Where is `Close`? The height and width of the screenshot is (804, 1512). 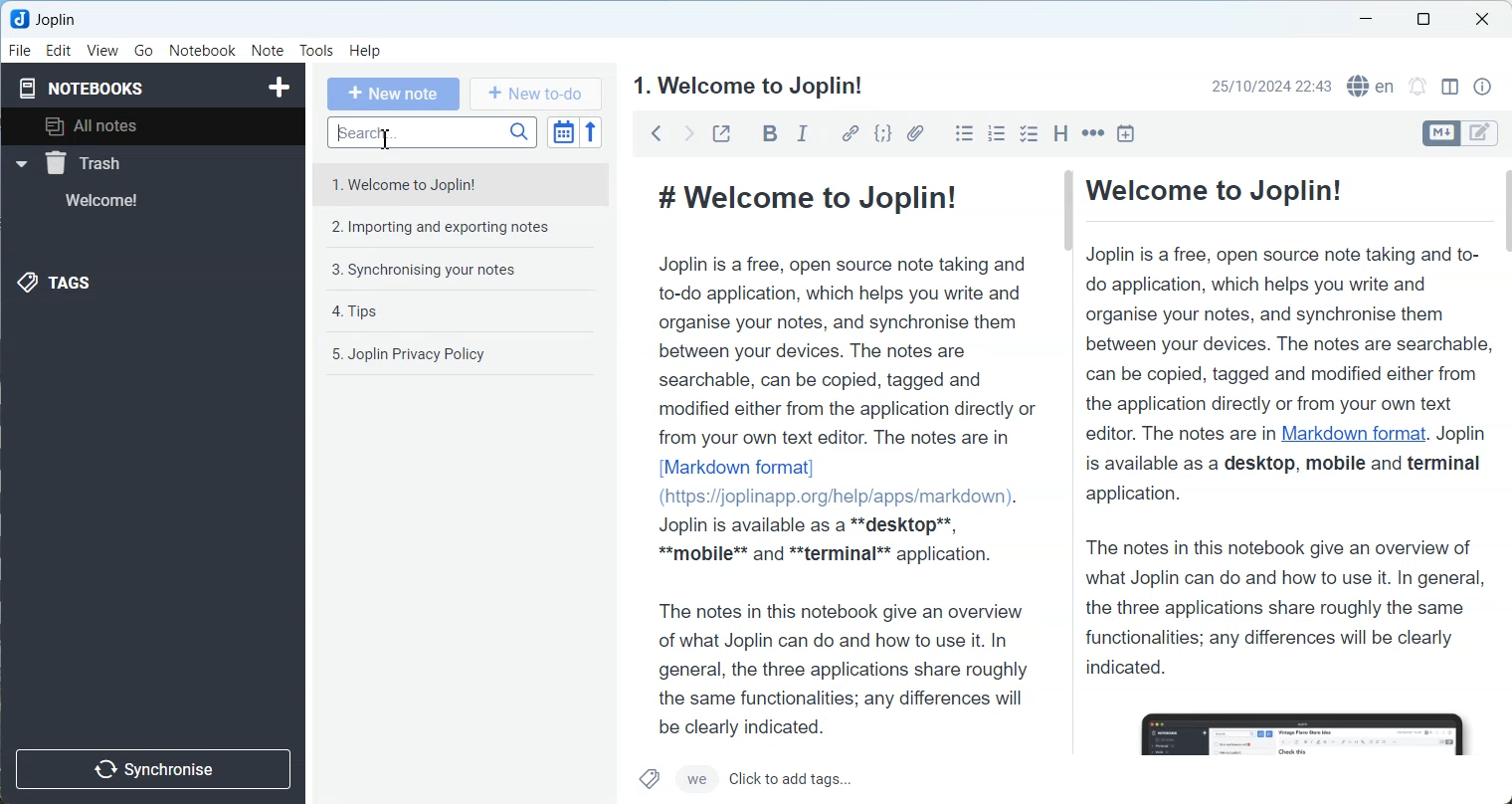
Close is located at coordinates (1483, 21).